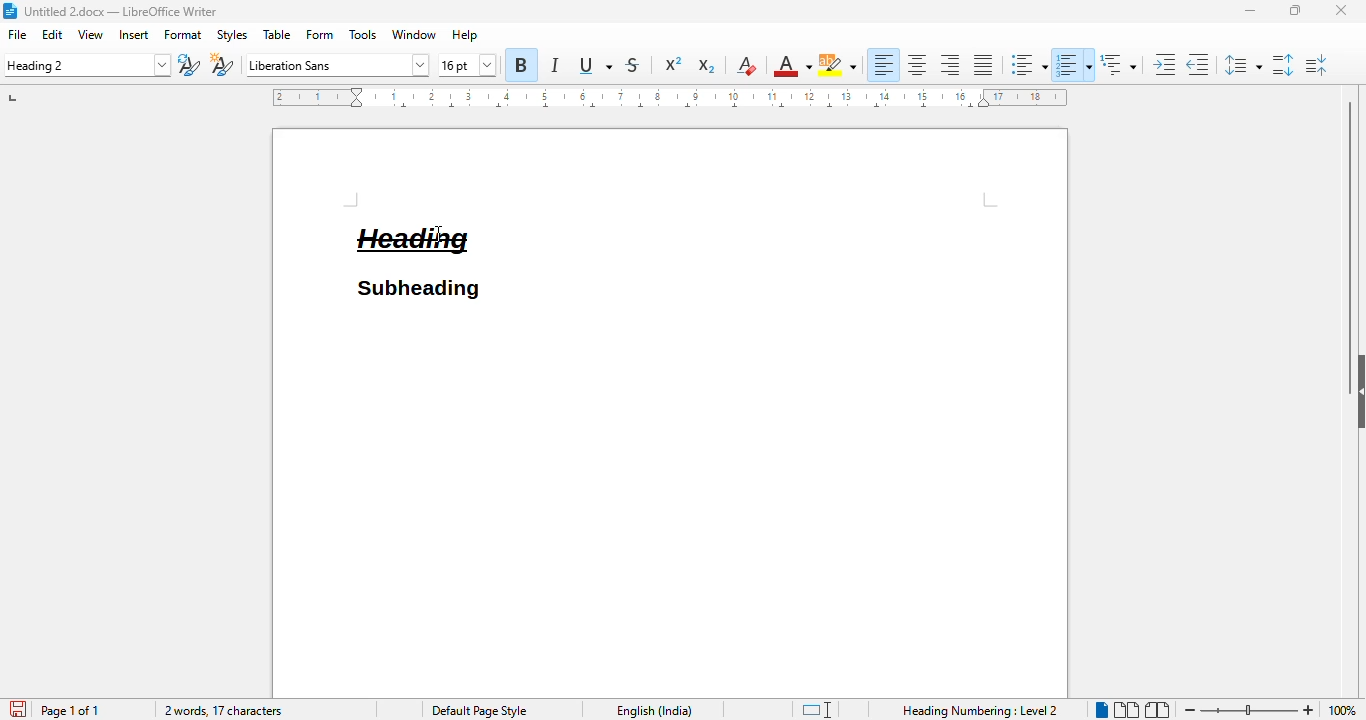 Image resolution: width=1366 pixels, height=720 pixels. Describe the element at coordinates (321, 35) in the screenshot. I see `form` at that location.